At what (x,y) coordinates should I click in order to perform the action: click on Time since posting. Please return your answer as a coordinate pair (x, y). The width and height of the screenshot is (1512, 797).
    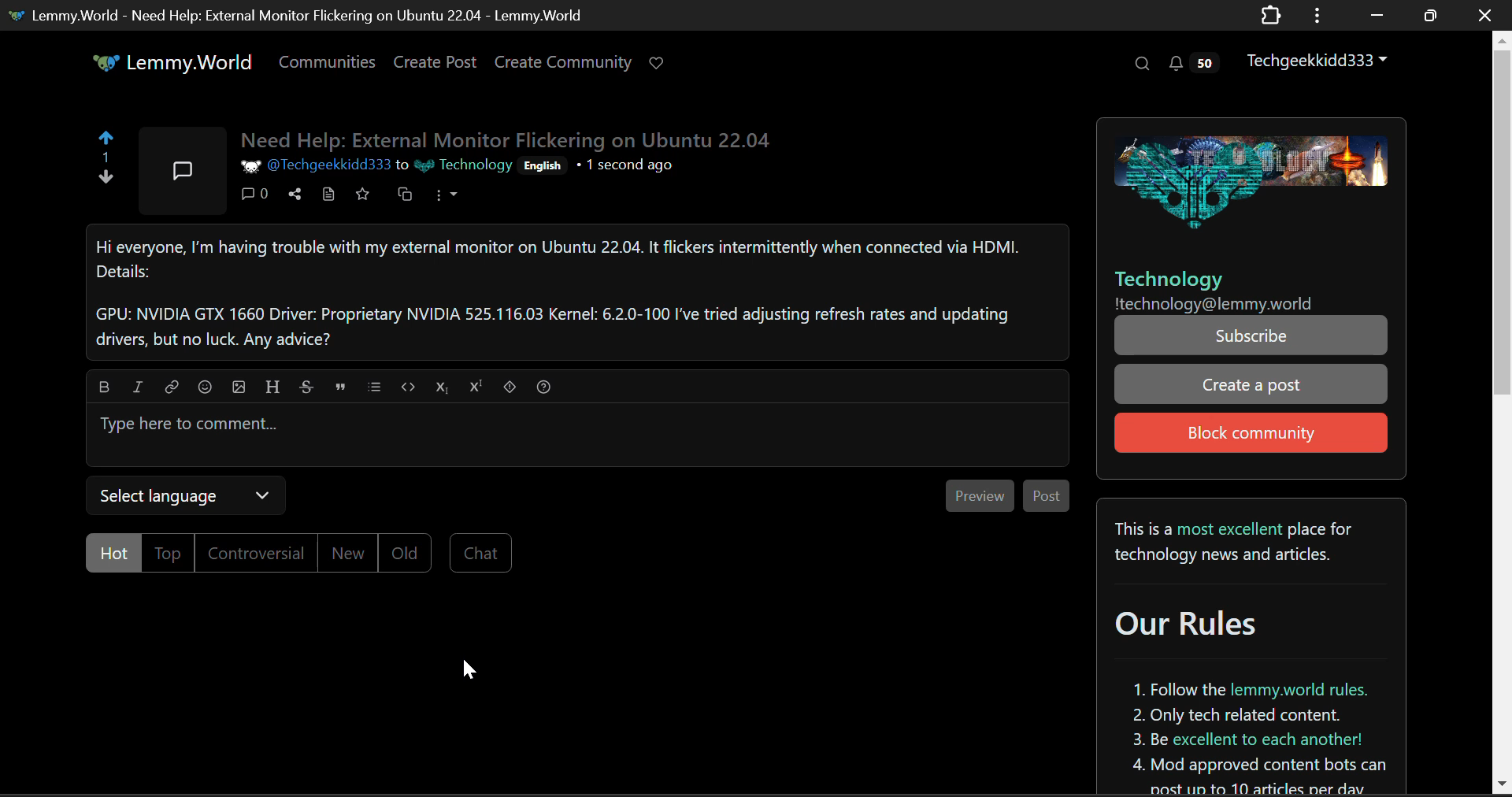
    Looking at the image, I should click on (624, 168).